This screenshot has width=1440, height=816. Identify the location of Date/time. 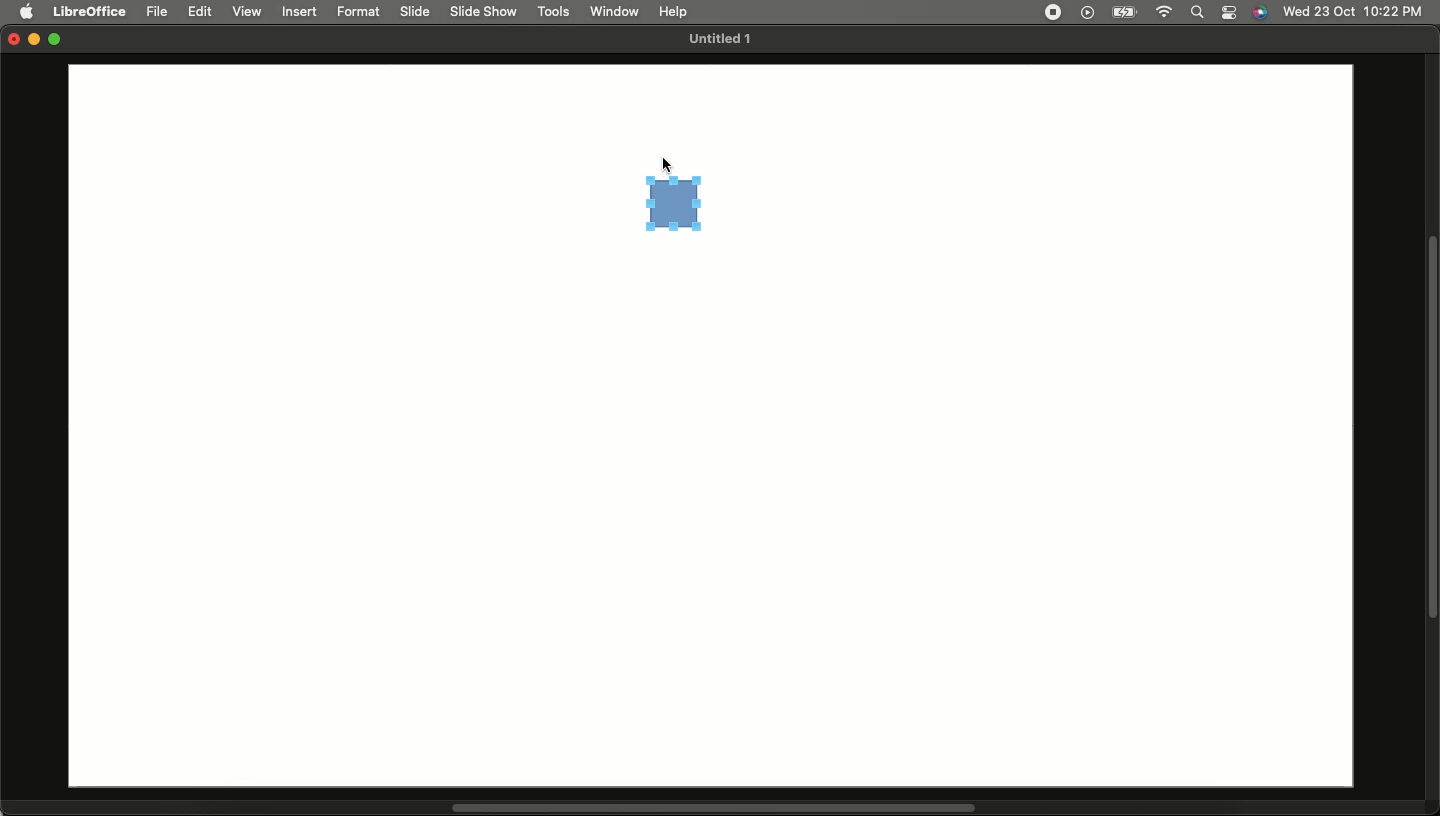
(1353, 11).